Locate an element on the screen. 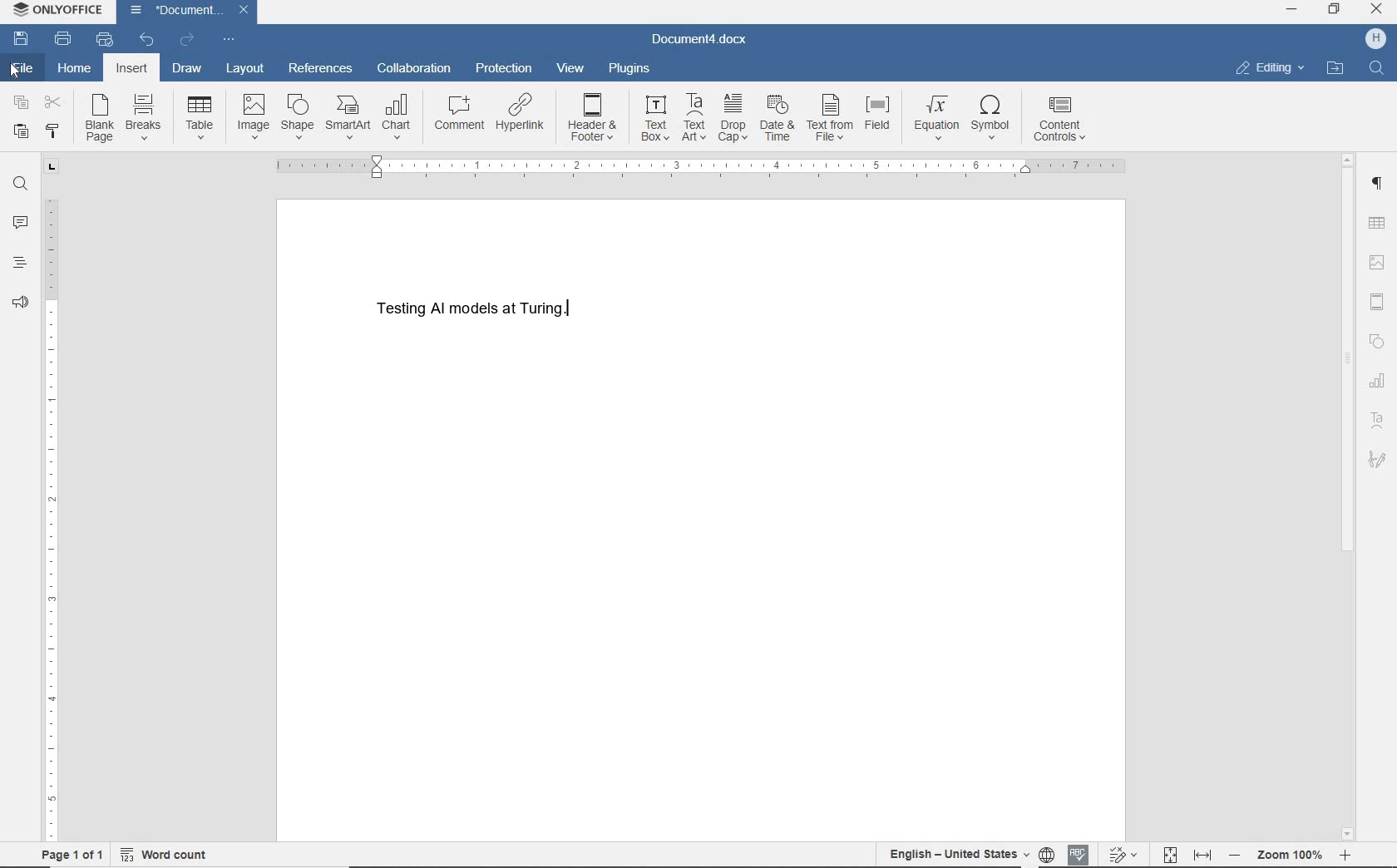 Image resolution: width=1397 pixels, height=868 pixels. content controls is located at coordinates (1063, 121).